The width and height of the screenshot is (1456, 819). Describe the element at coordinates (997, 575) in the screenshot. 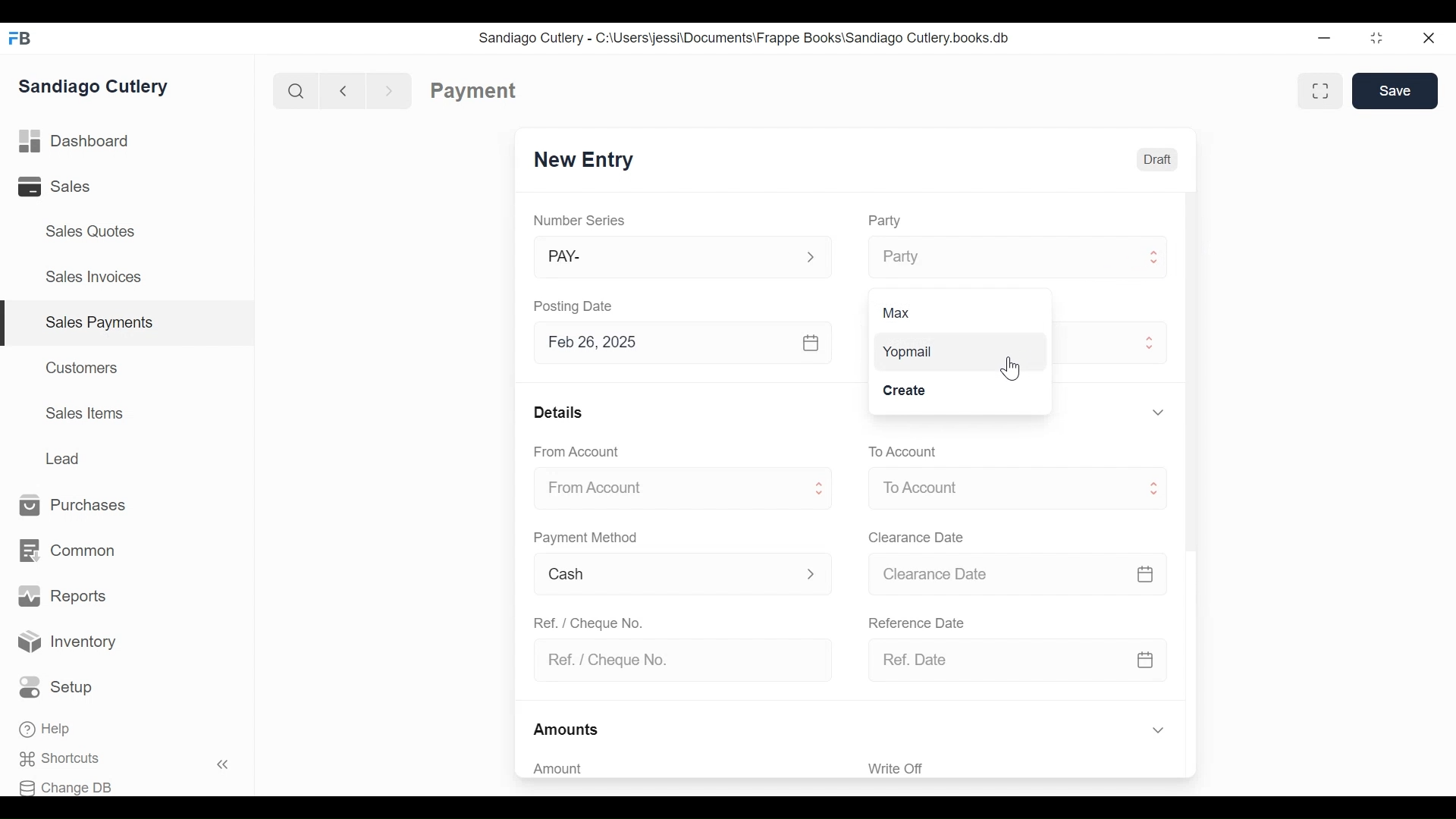

I see `Clearance Date` at that location.